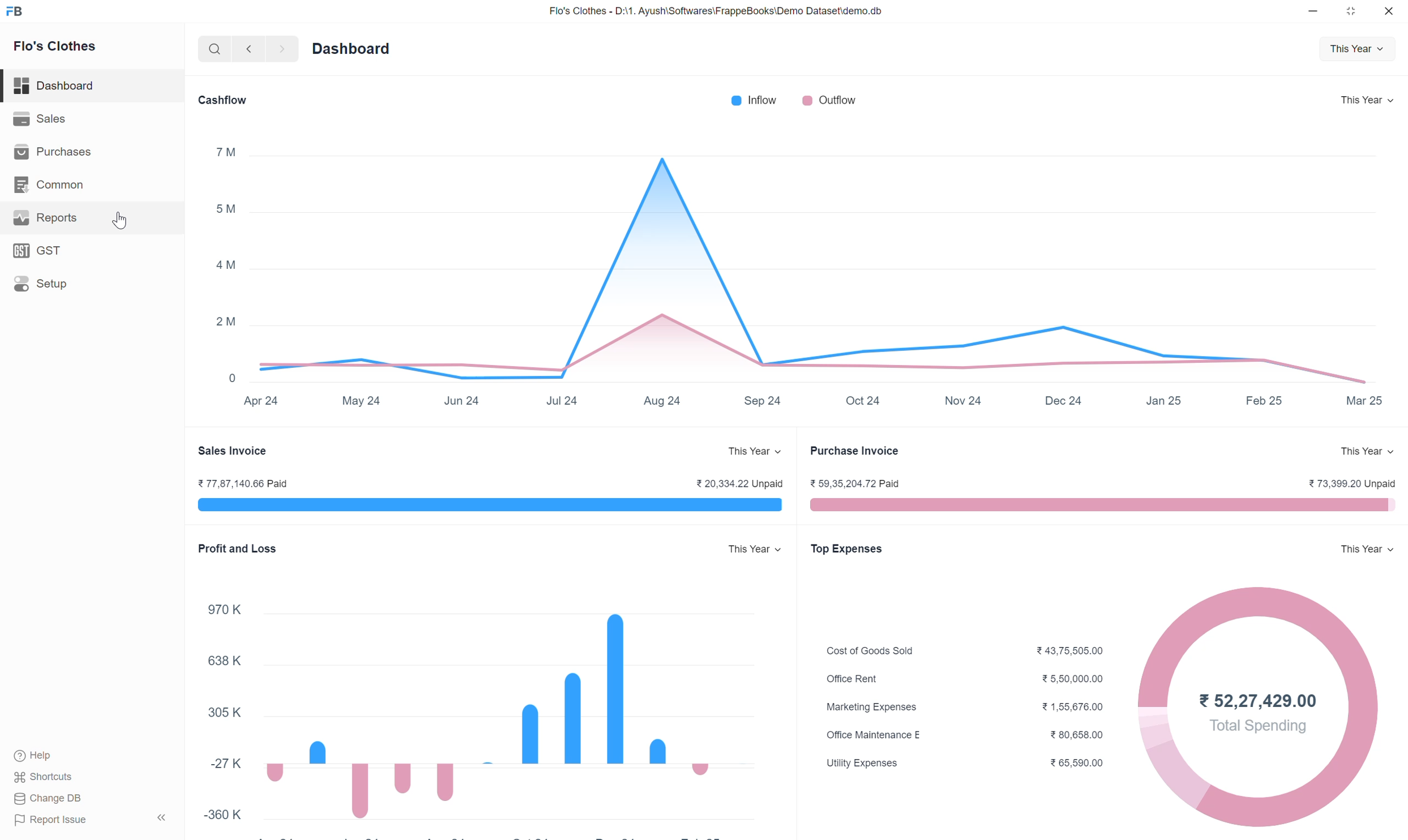  I want to click on Apr 24, so click(266, 404).